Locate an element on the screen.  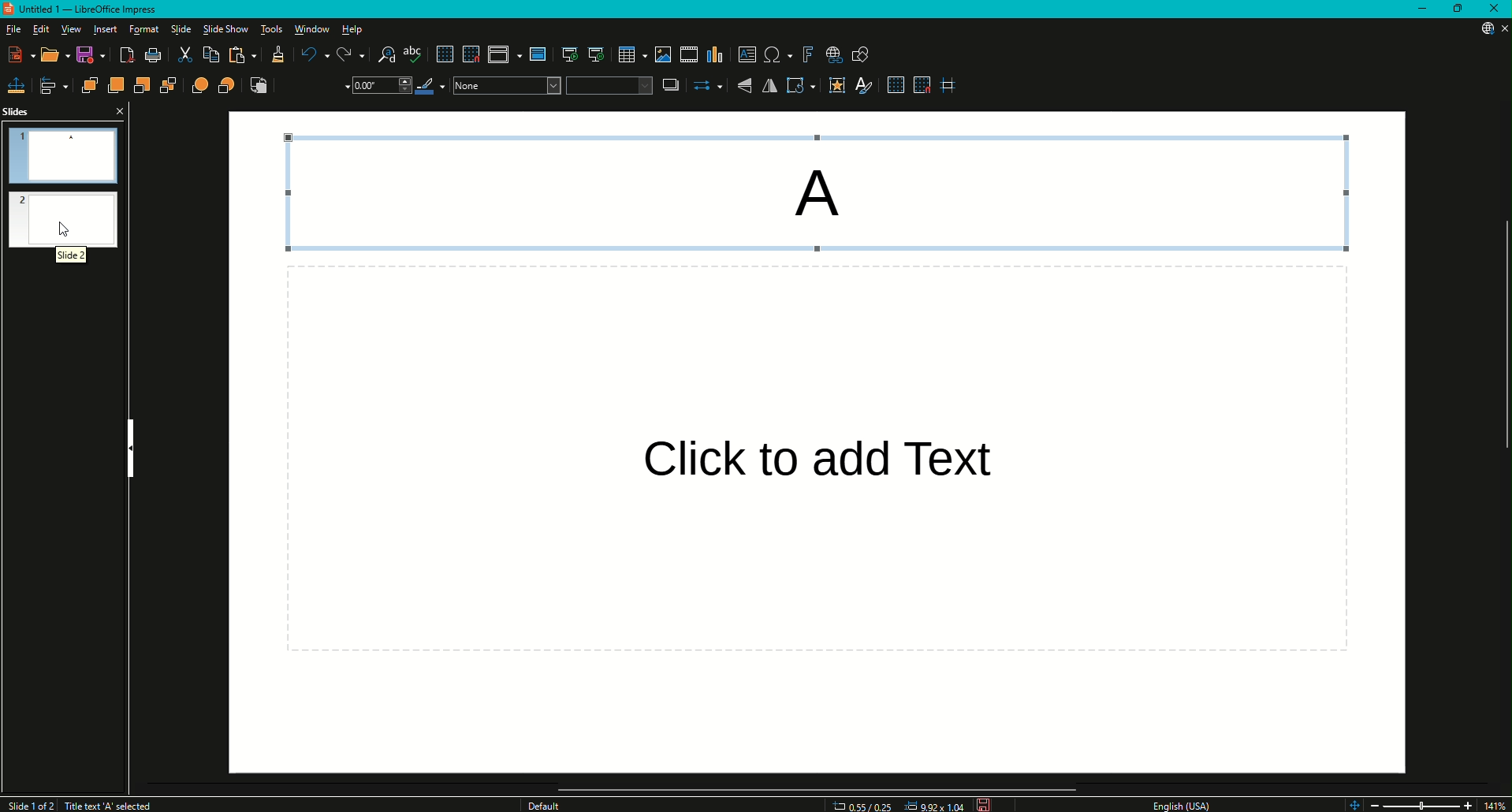
Master slide is located at coordinates (541, 54).